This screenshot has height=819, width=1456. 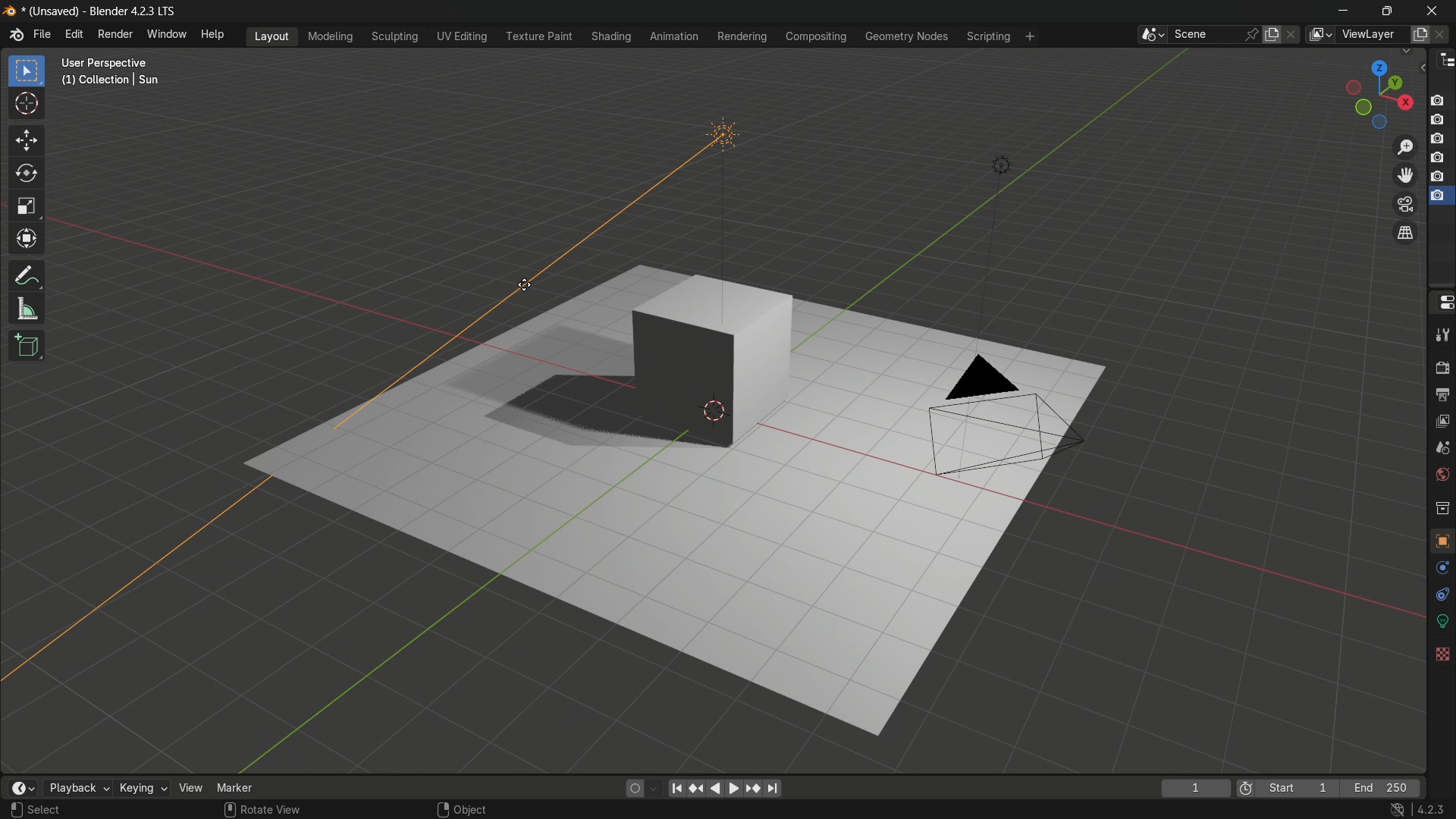 What do you see at coordinates (1385, 10) in the screenshot?
I see `maximize or restore` at bounding box center [1385, 10].